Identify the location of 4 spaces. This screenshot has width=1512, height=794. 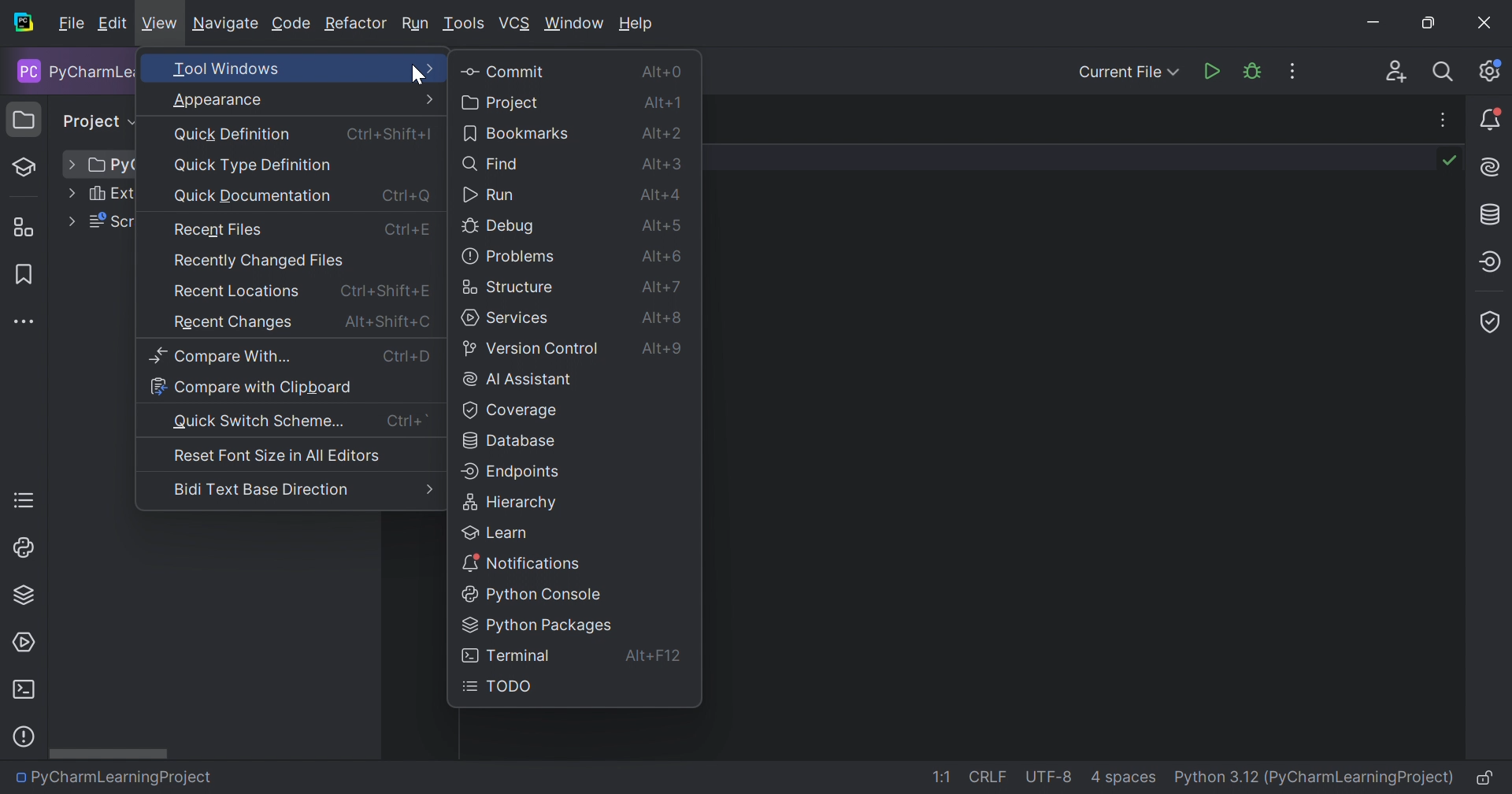
(1124, 777).